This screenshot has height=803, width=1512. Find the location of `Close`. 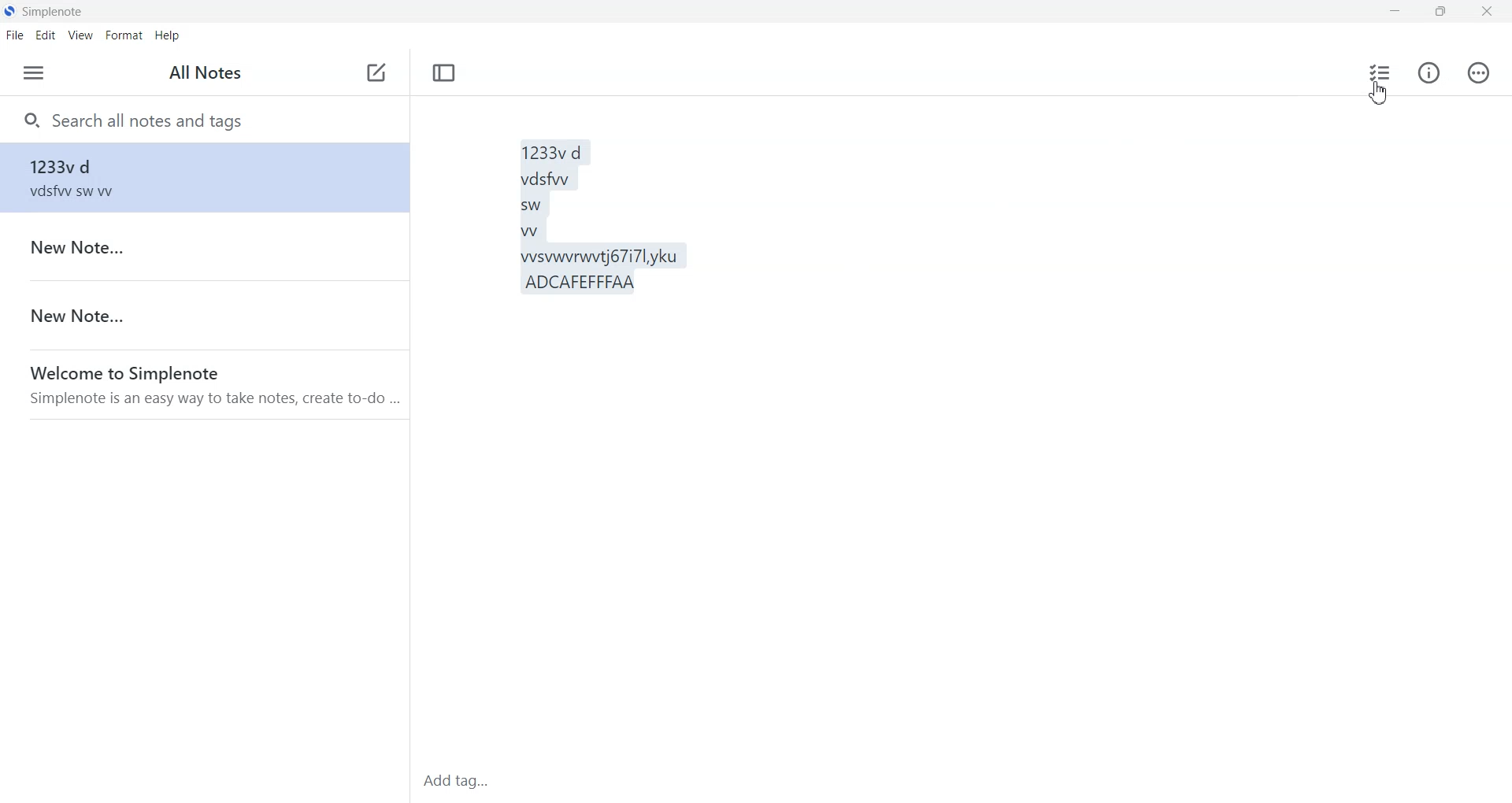

Close is located at coordinates (1486, 13).